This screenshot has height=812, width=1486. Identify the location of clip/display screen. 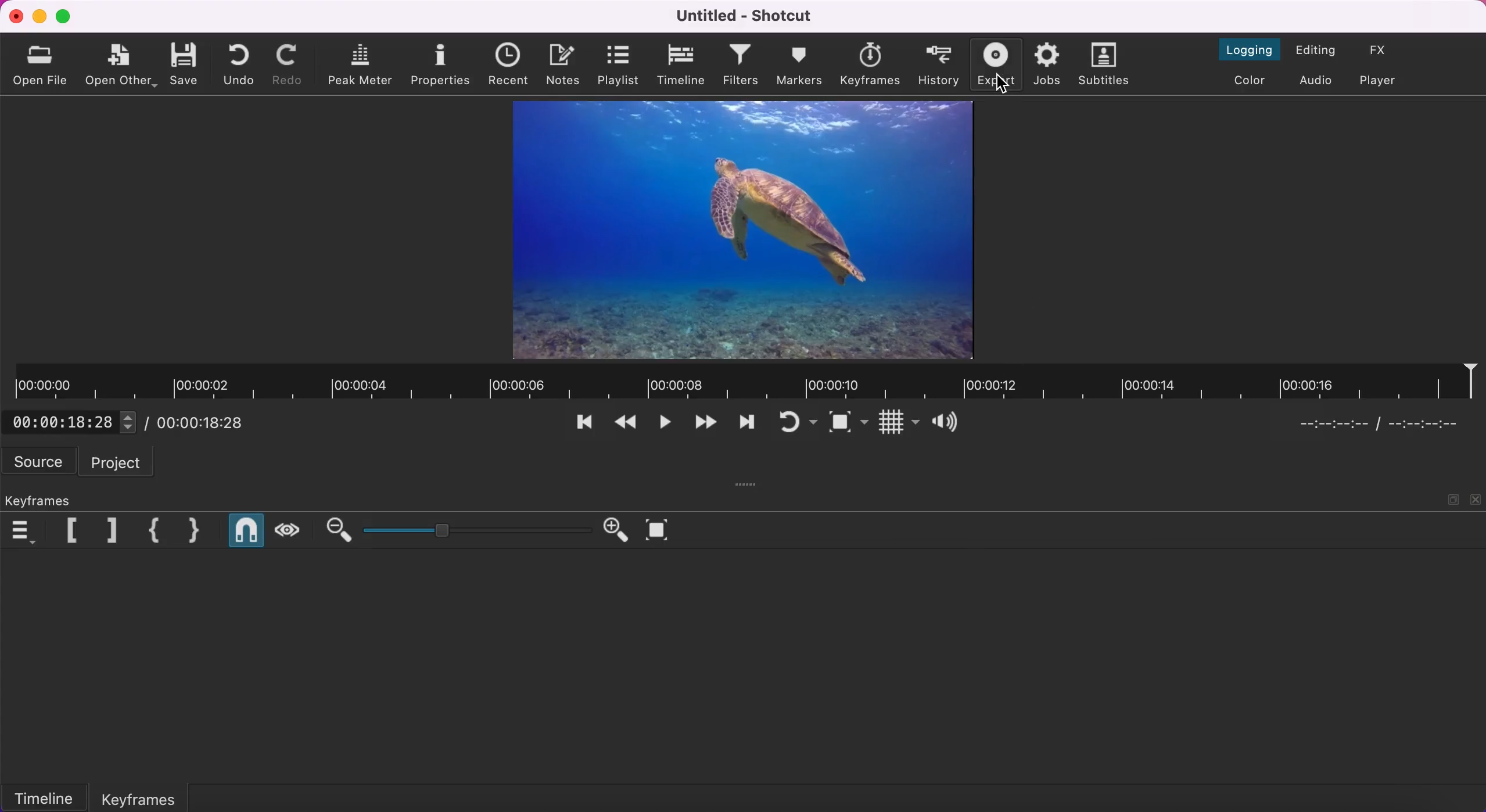
(744, 230).